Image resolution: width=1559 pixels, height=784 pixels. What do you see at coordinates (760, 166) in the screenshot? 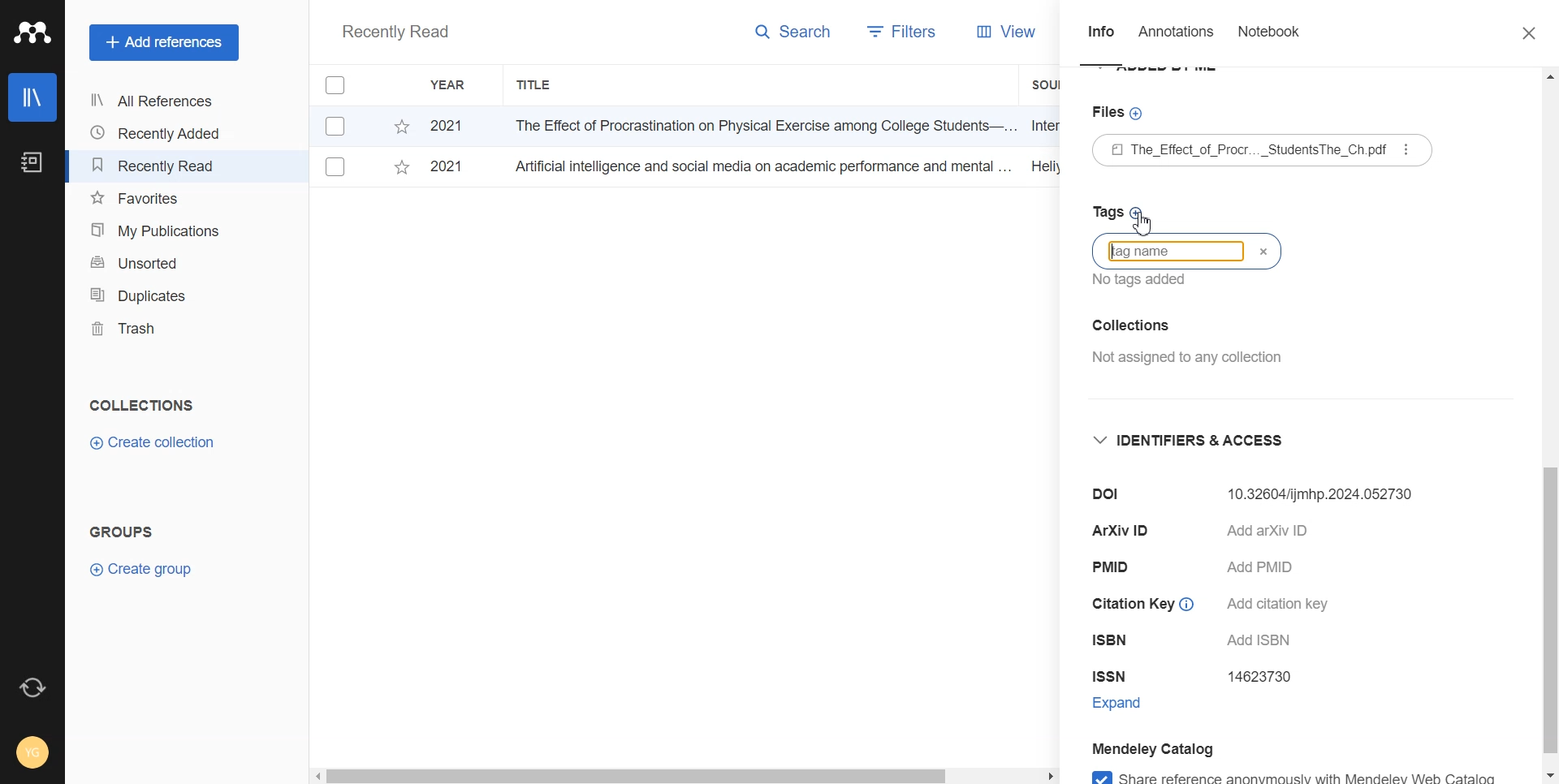
I see `Artificial intelligence and social media on academic performance and mental ...` at bounding box center [760, 166].